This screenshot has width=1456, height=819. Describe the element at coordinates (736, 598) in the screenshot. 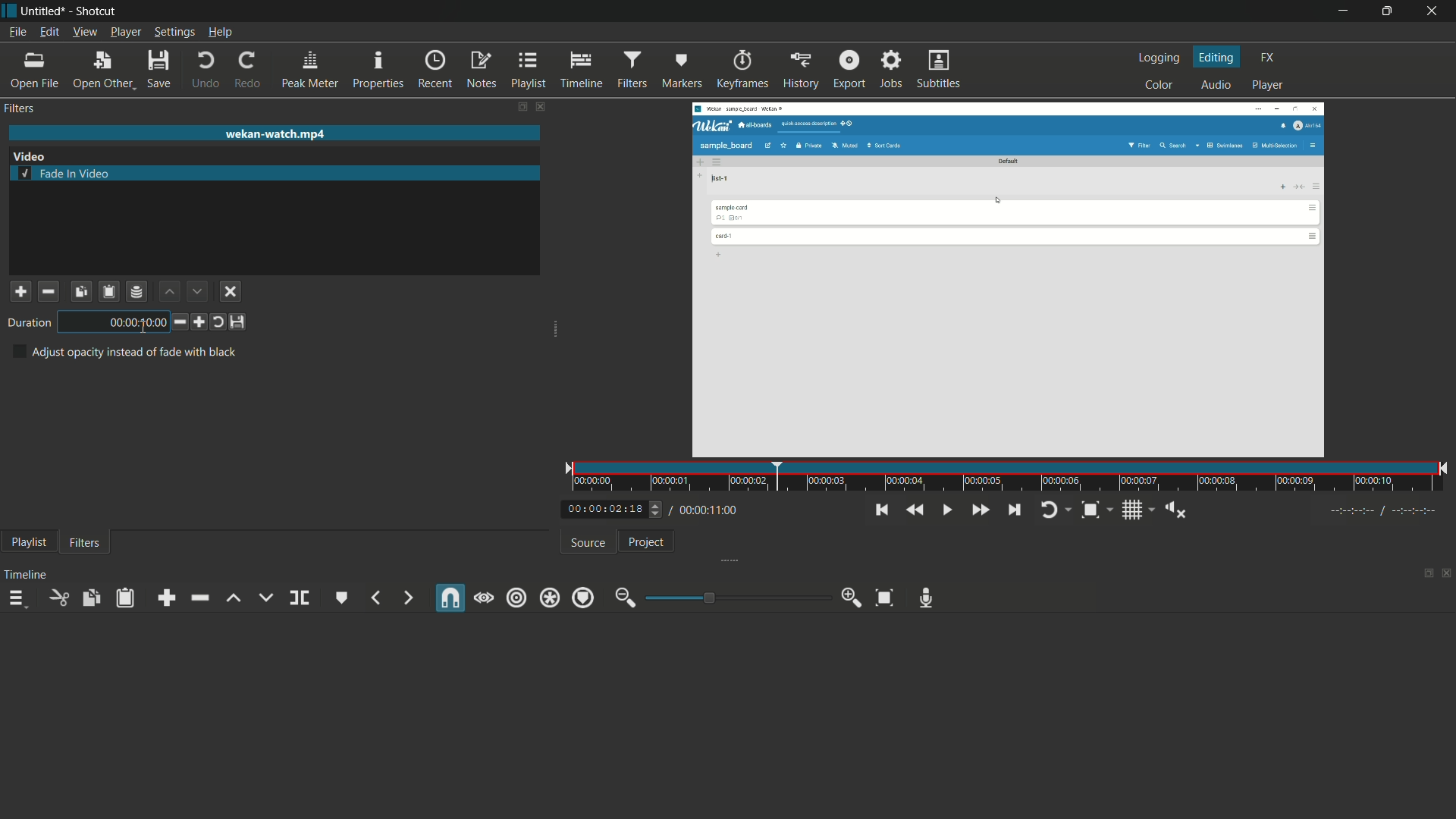

I see `adjustment bar` at that location.